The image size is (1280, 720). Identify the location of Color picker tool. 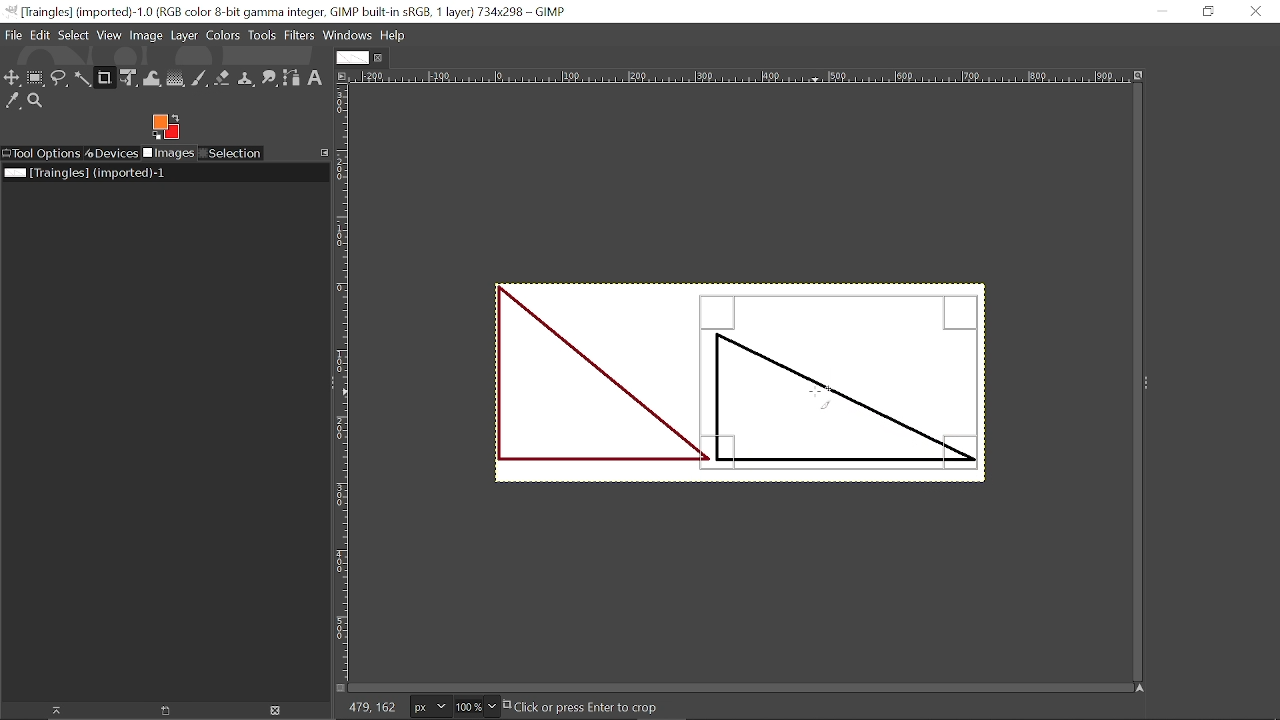
(13, 101).